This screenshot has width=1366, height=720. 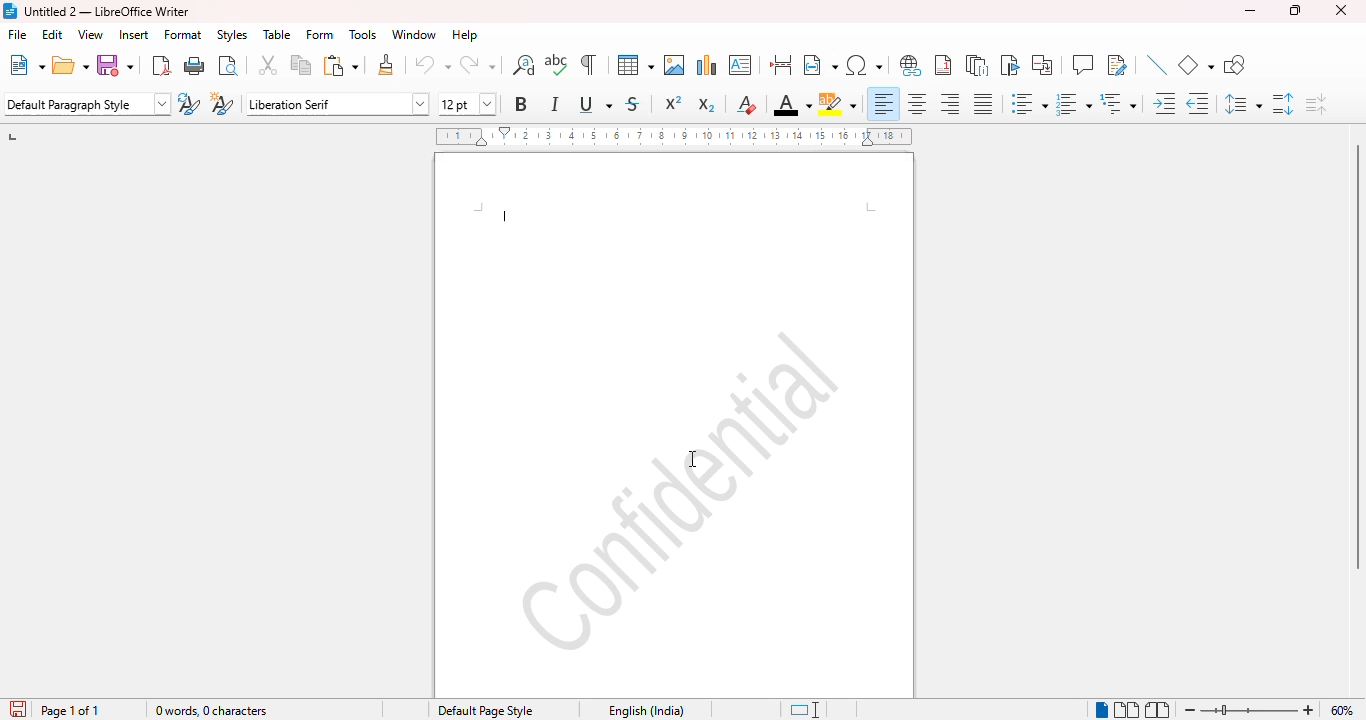 I want to click on increase paragraph spacing, so click(x=1282, y=104).